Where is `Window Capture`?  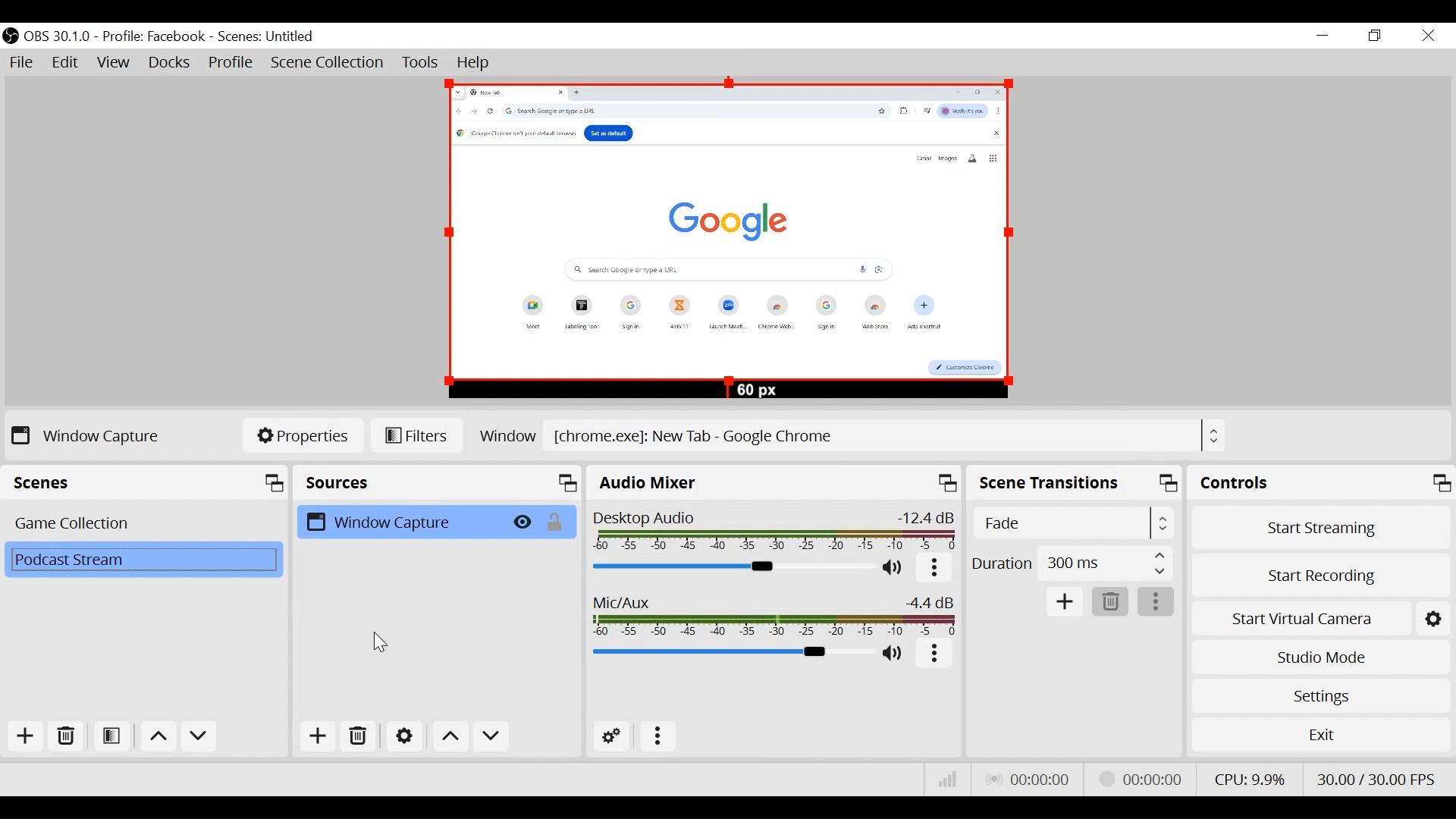 Window Capture is located at coordinates (88, 435).